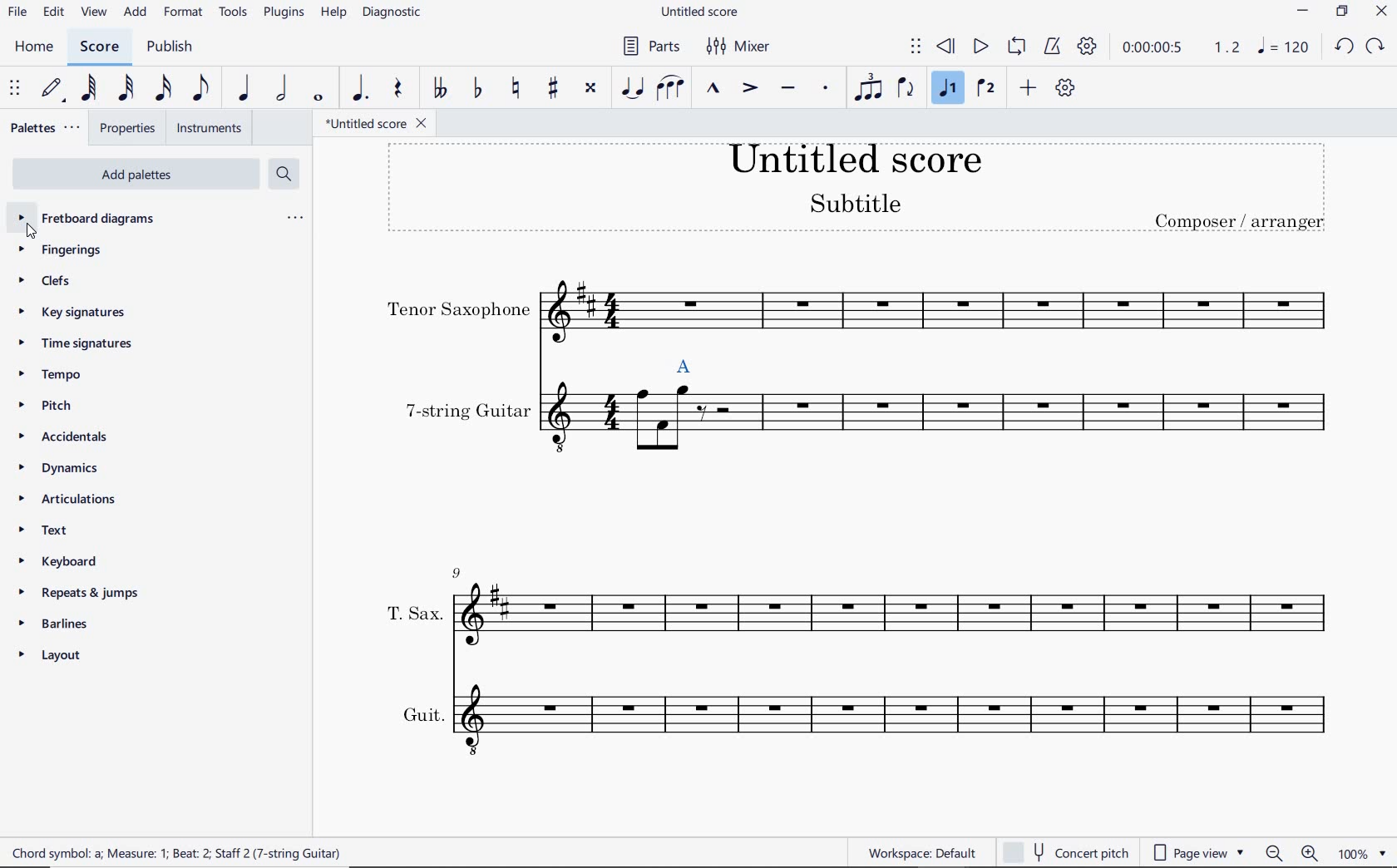 The height and width of the screenshot is (868, 1397). Describe the element at coordinates (631, 88) in the screenshot. I see `TIE` at that location.